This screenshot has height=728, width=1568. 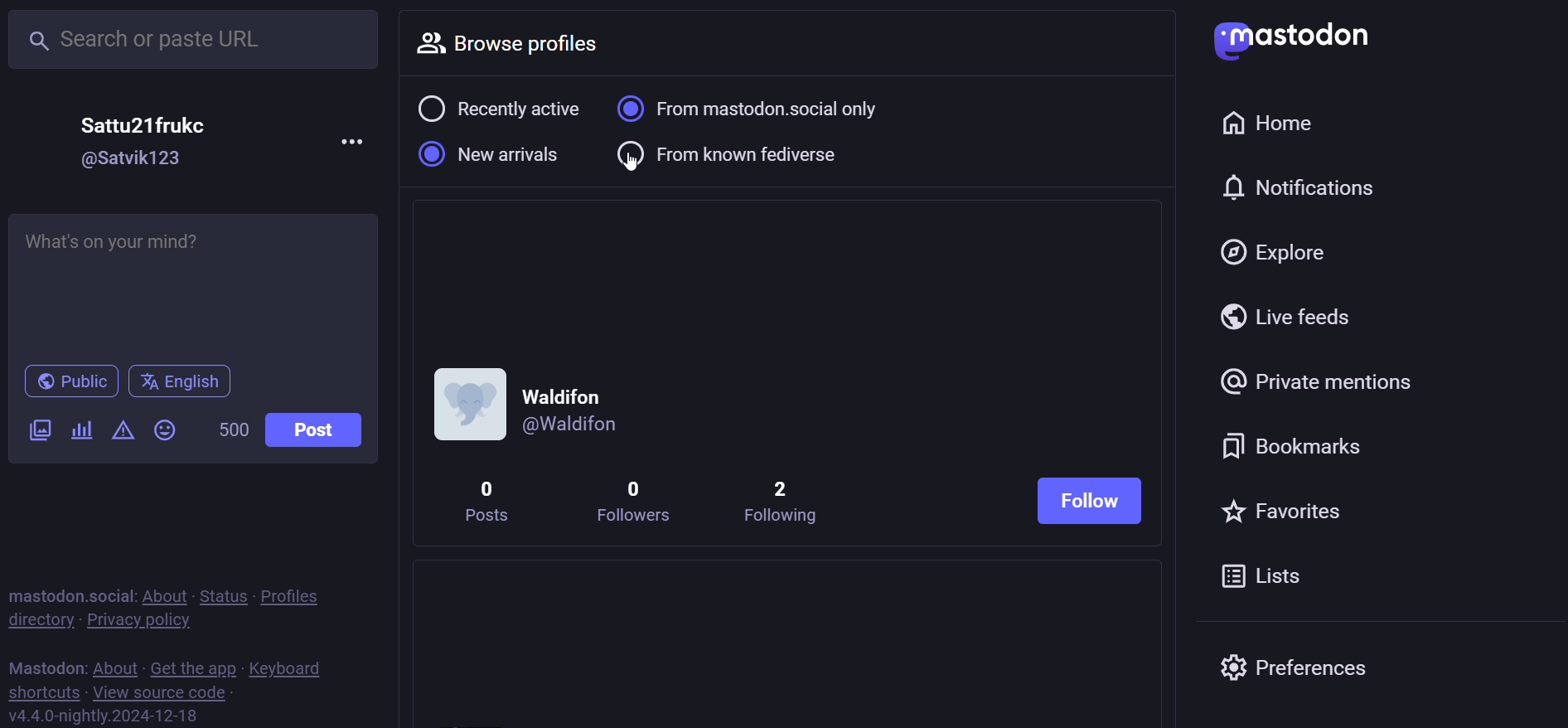 What do you see at coordinates (1325, 380) in the screenshot?
I see `private mention` at bounding box center [1325, 380].